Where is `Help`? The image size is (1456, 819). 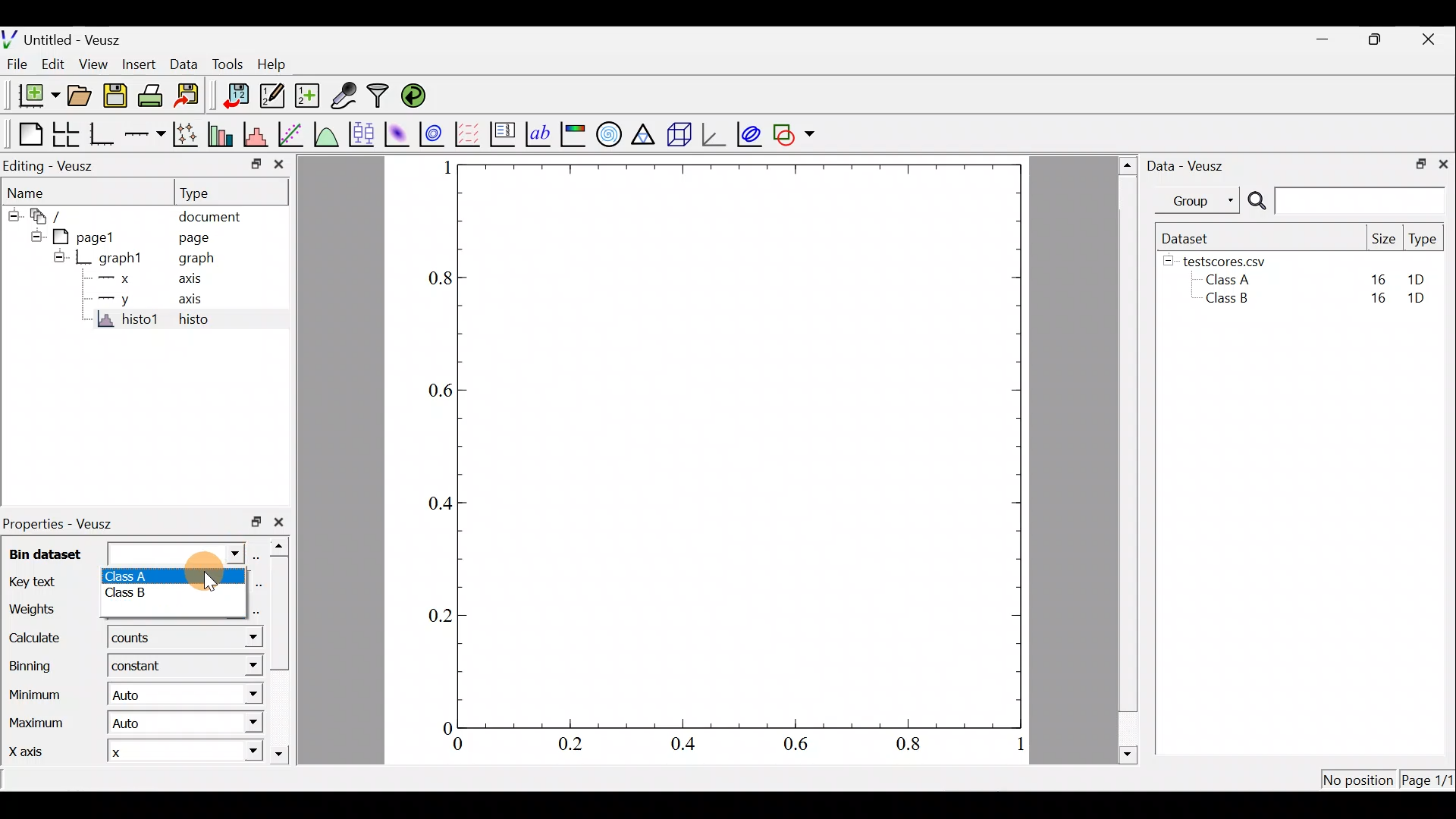 Help is located at coordinates (278, 65).